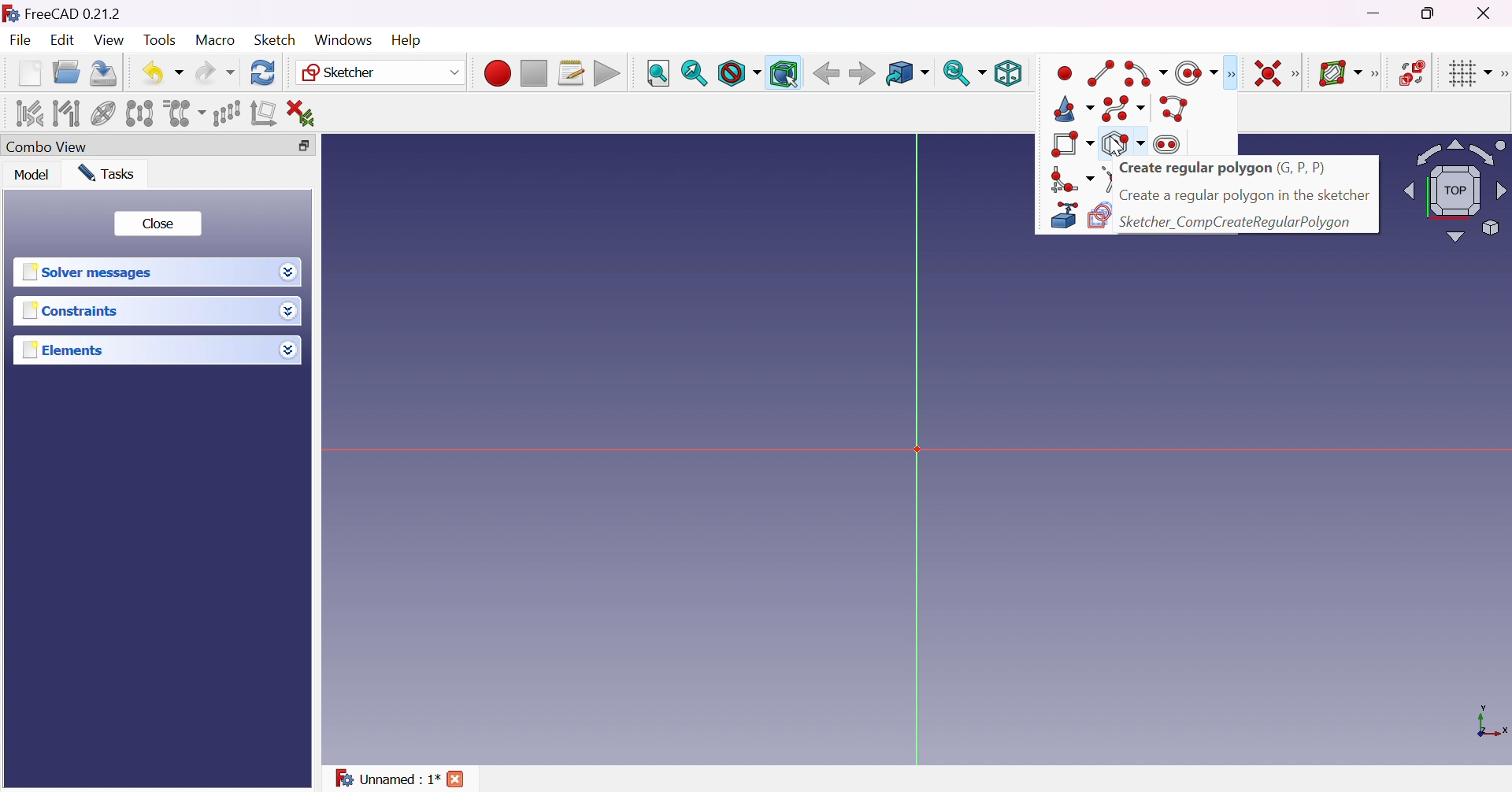 The width and height of the screenshot is (1512, 792). What do you see at coordinates (1197, 73) in the screenshot?
I see `Create circle` at bounding box center [1197, 73].